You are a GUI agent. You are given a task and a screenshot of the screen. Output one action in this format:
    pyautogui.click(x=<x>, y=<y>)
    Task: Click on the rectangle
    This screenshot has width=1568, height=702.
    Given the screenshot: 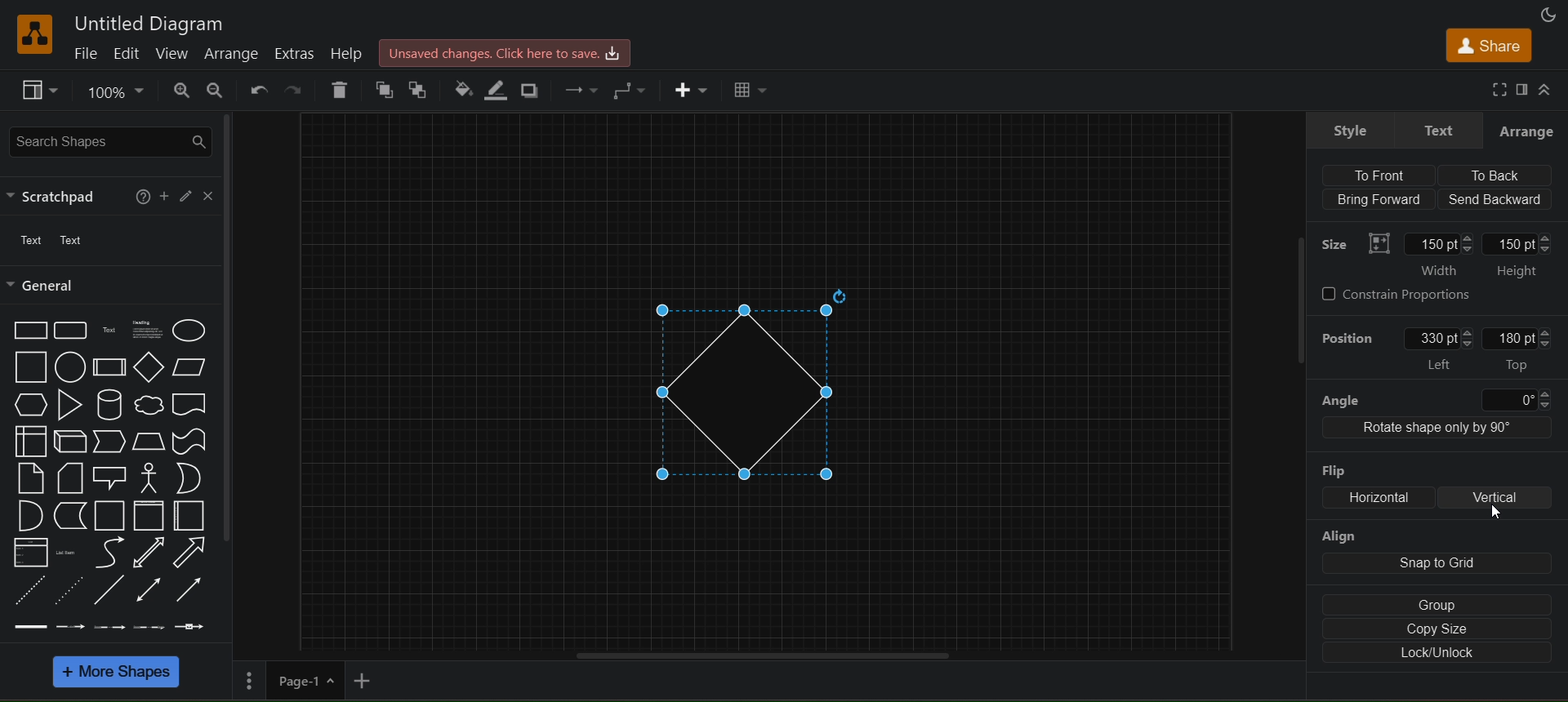 What is the action you would take?
    pyautogui.click(x=31, y=330)
    